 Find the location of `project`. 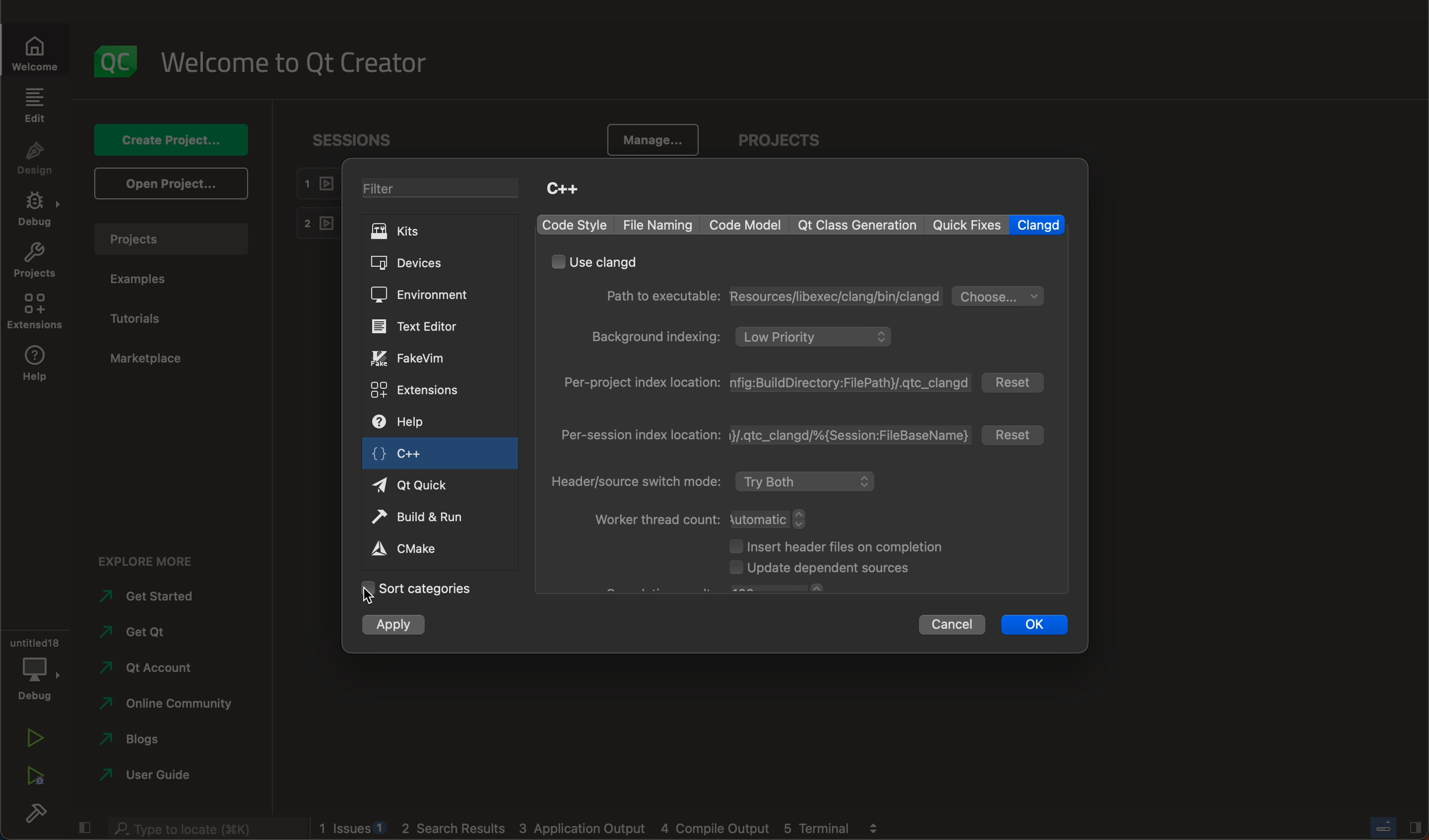

project is located at coordinates (34, 263).